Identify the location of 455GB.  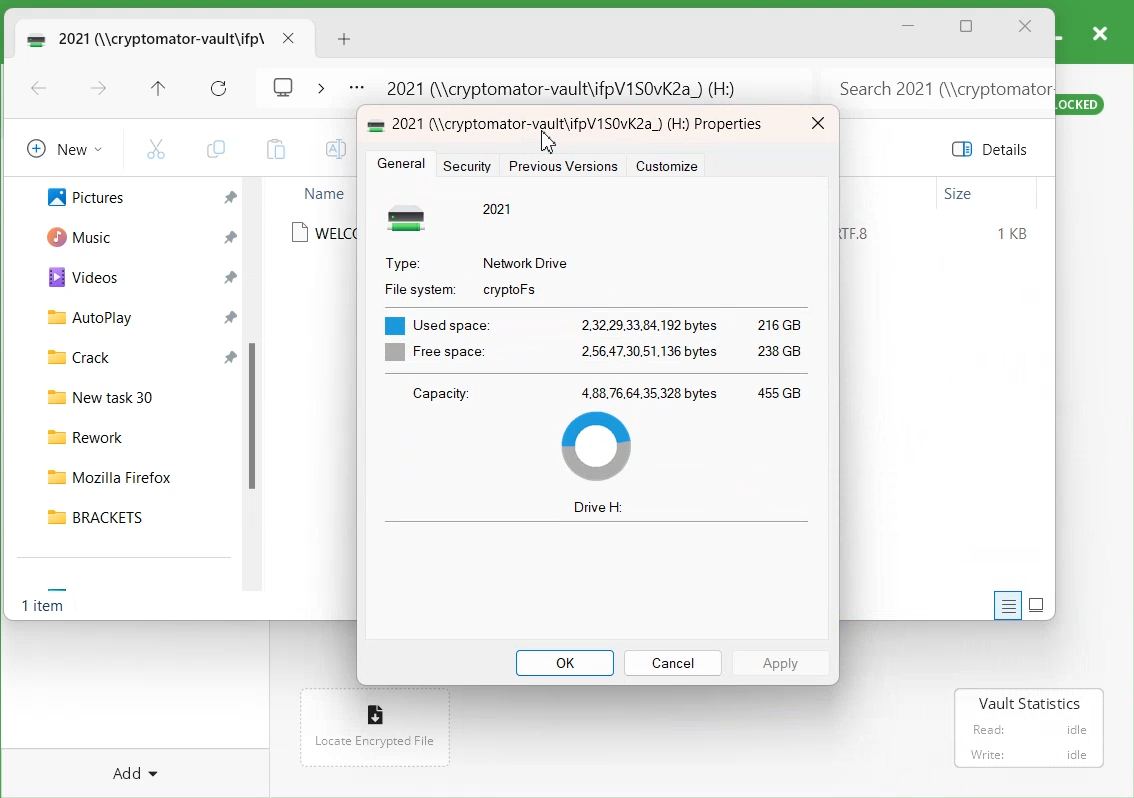
(779, 390).